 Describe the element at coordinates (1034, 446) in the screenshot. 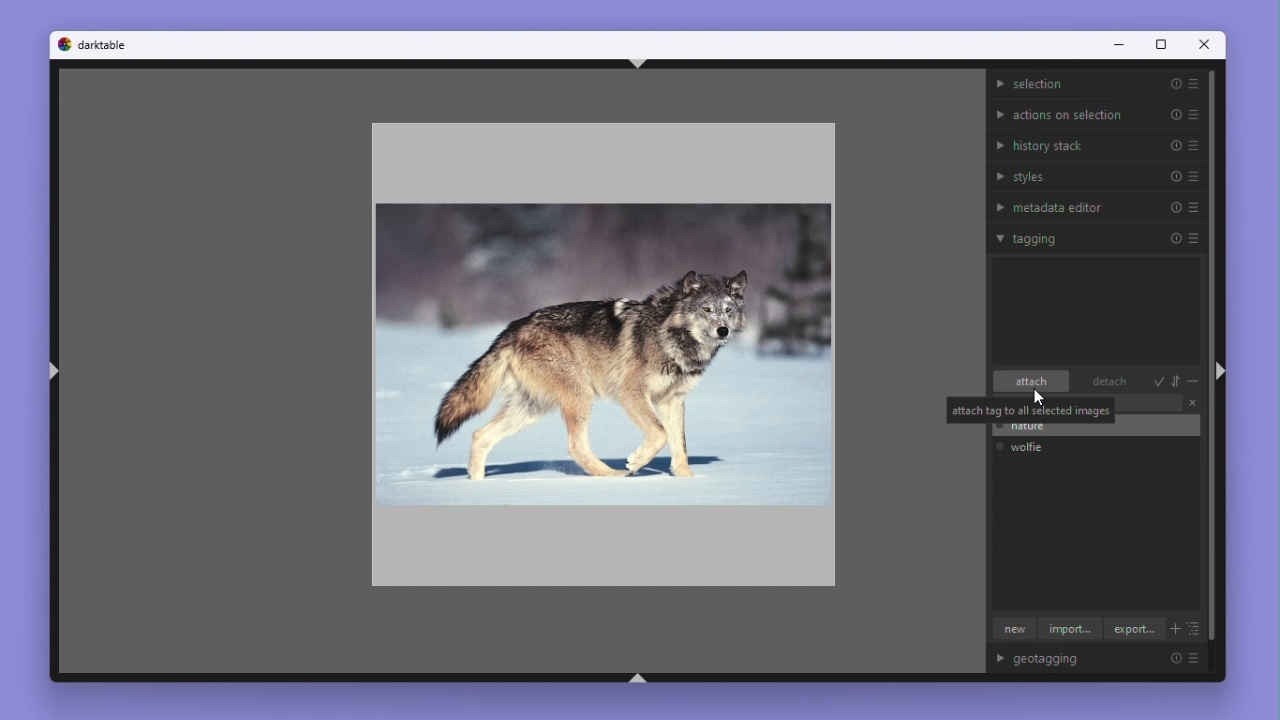

I see `wolfie` at that location.